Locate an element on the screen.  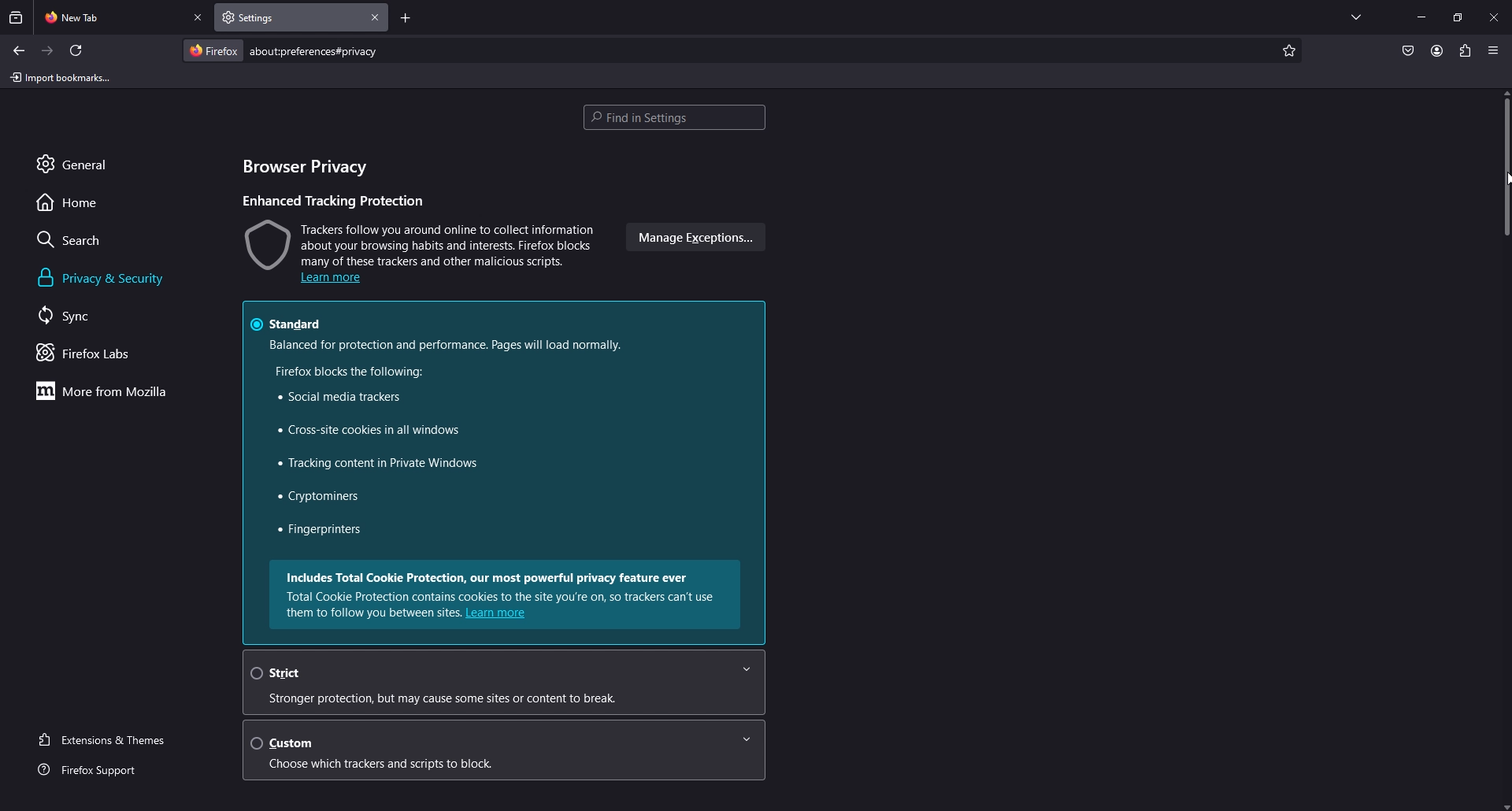
Strict  is located at coordinates (502, 672).